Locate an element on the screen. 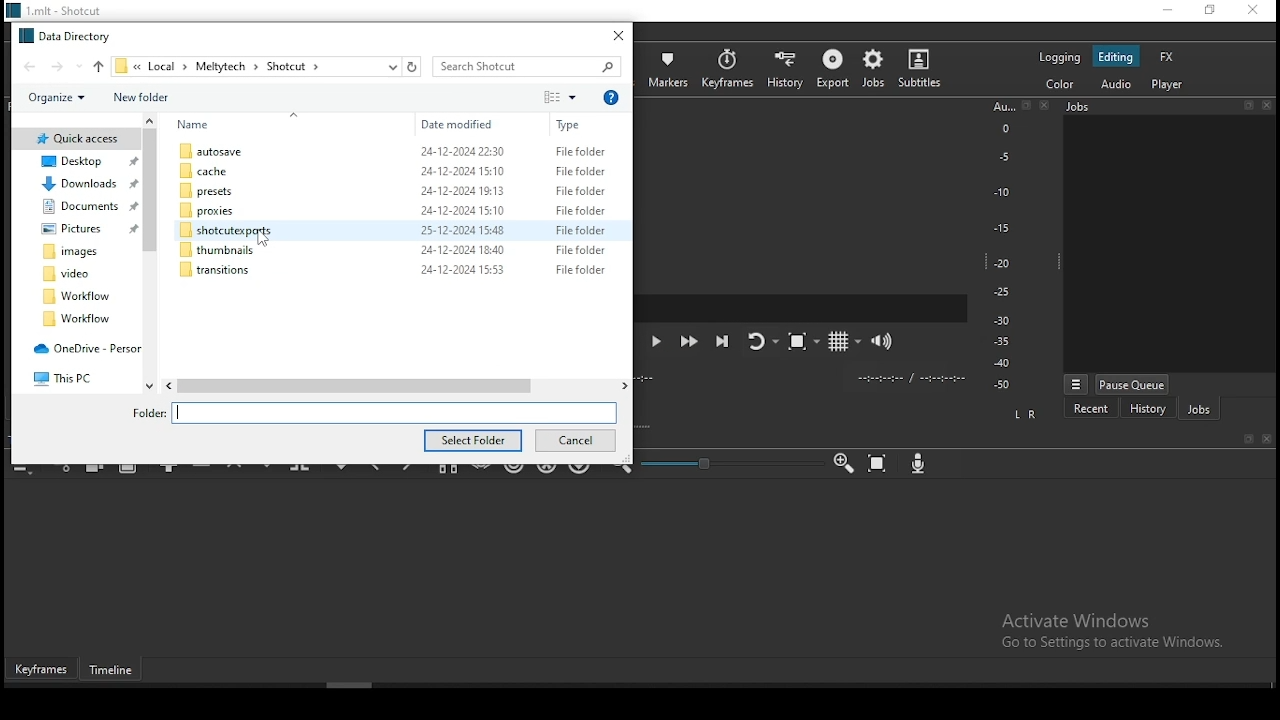  Name is located at coordinates (199, 125).